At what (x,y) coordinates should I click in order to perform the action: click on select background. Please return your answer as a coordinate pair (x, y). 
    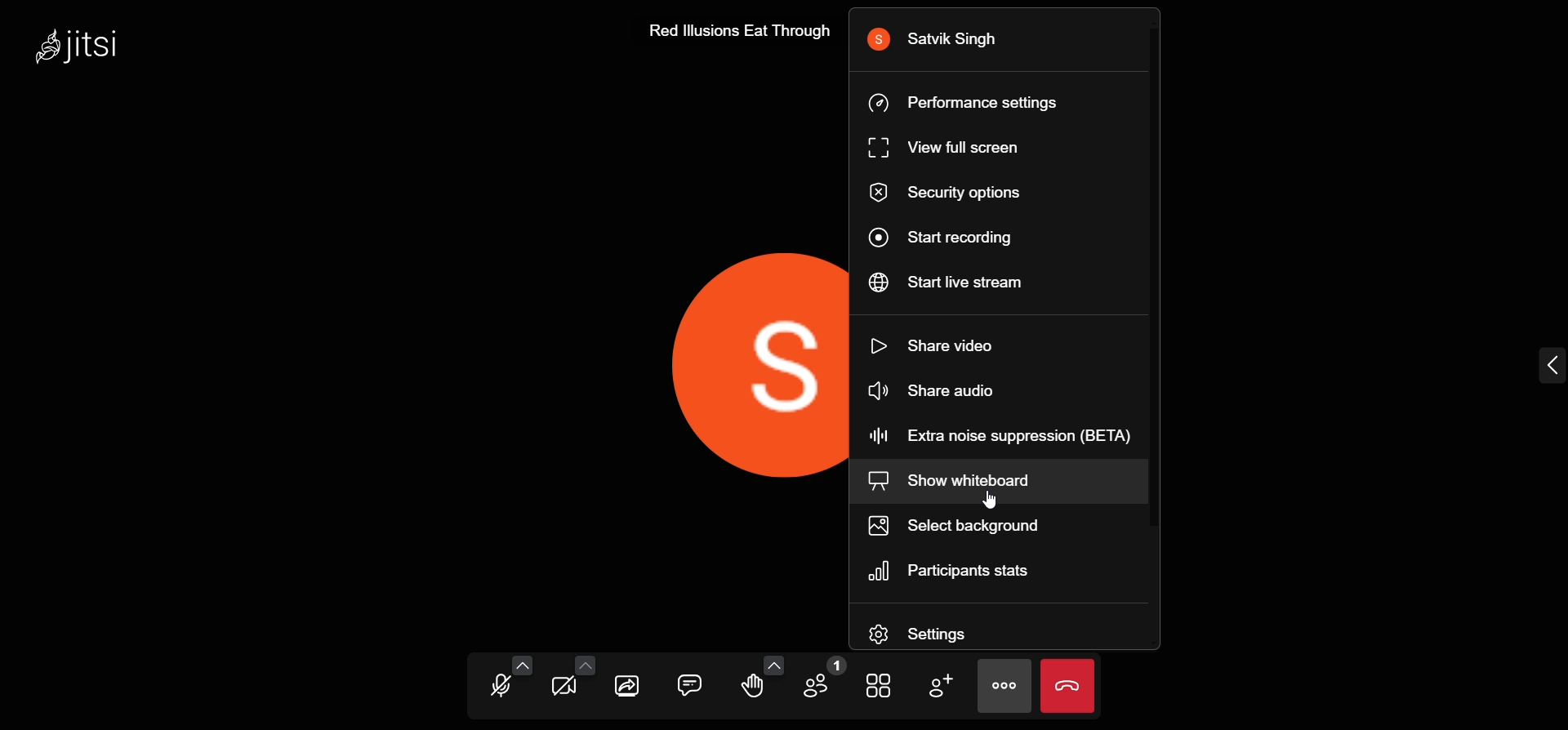
    Looking at the image, I should click on (989, 526).